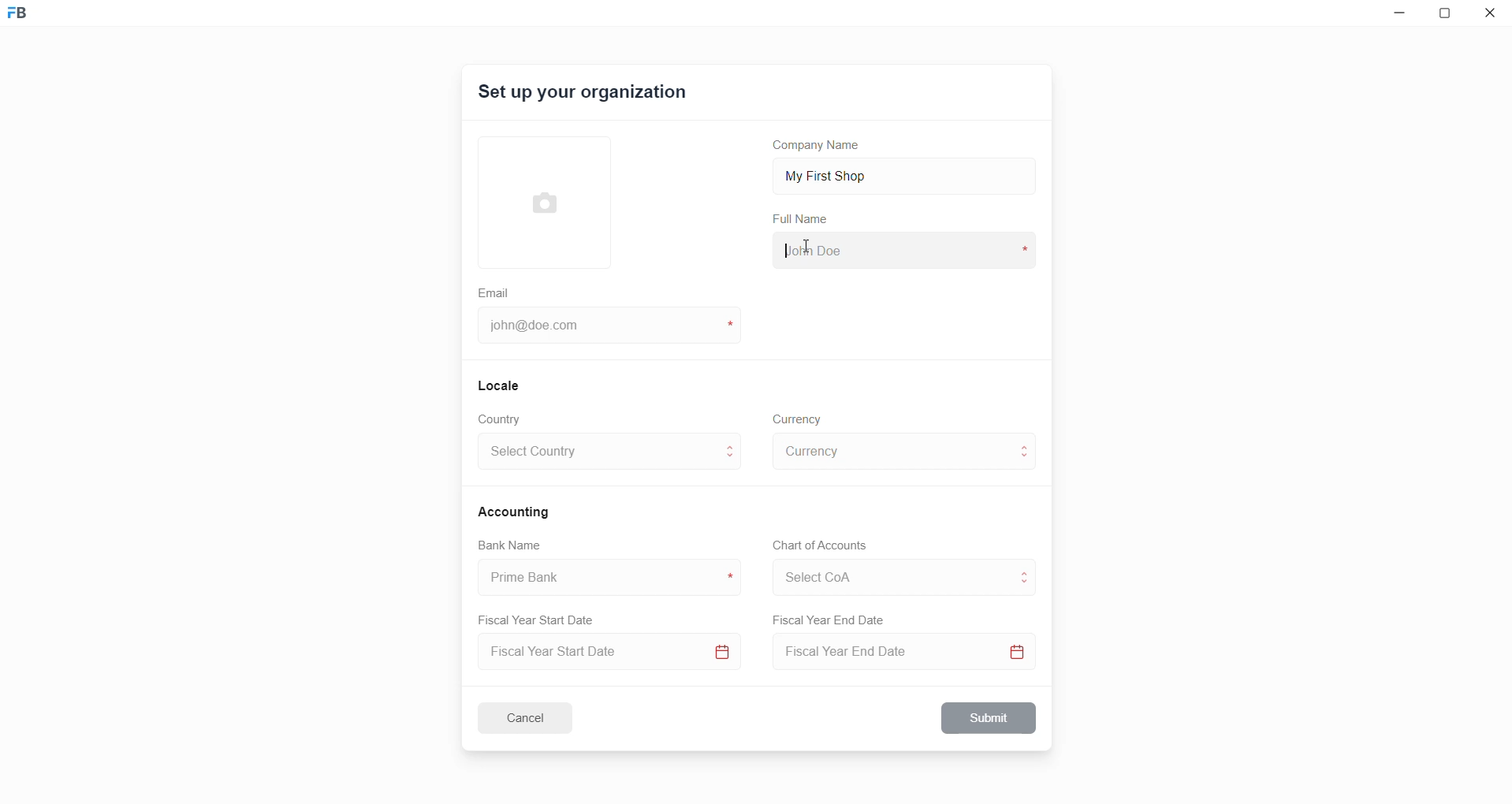 This screenshot has height=804, width=1512. I want to click on minimize, so click(1396, 17).